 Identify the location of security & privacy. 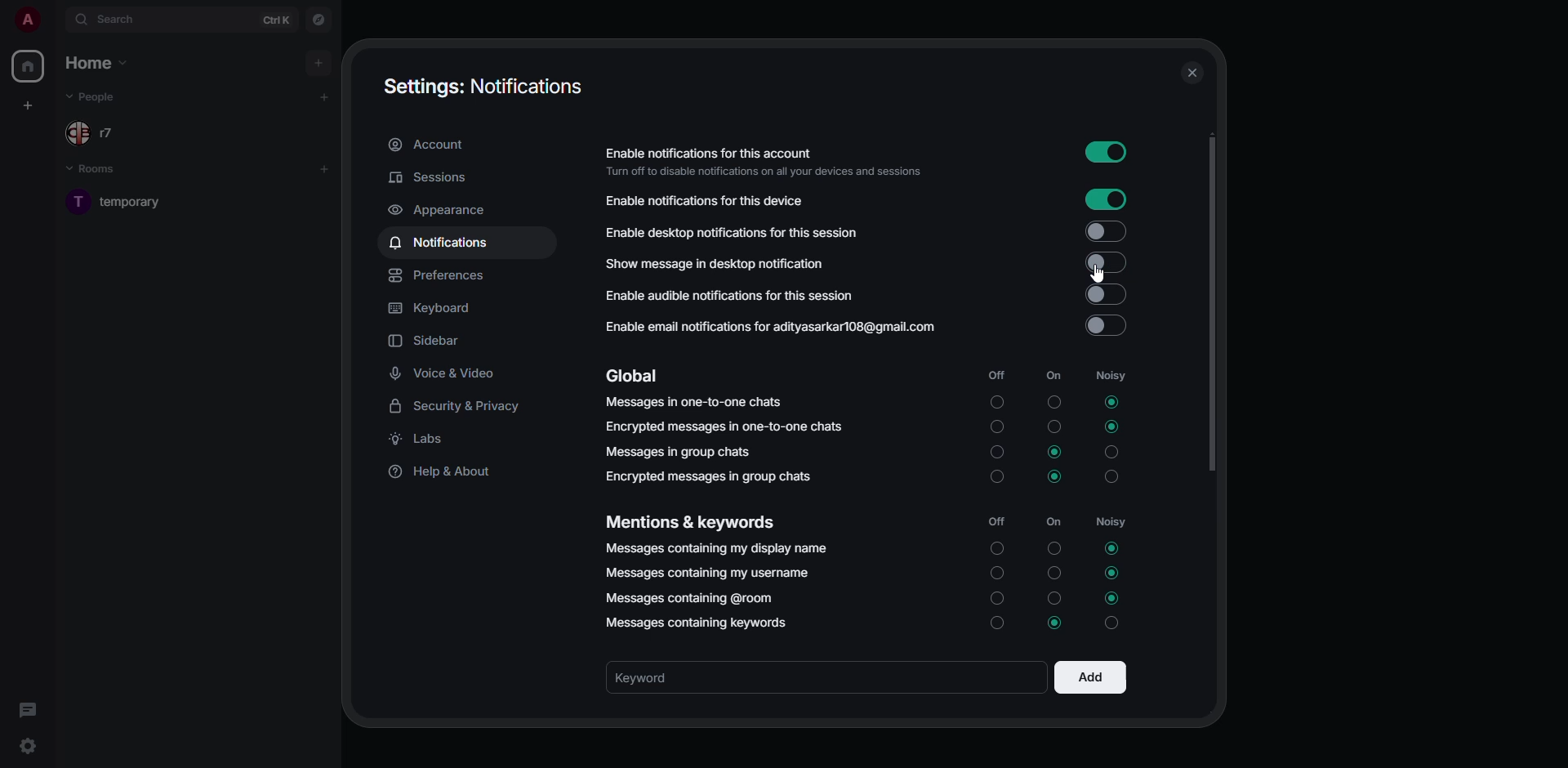
(461, 406).